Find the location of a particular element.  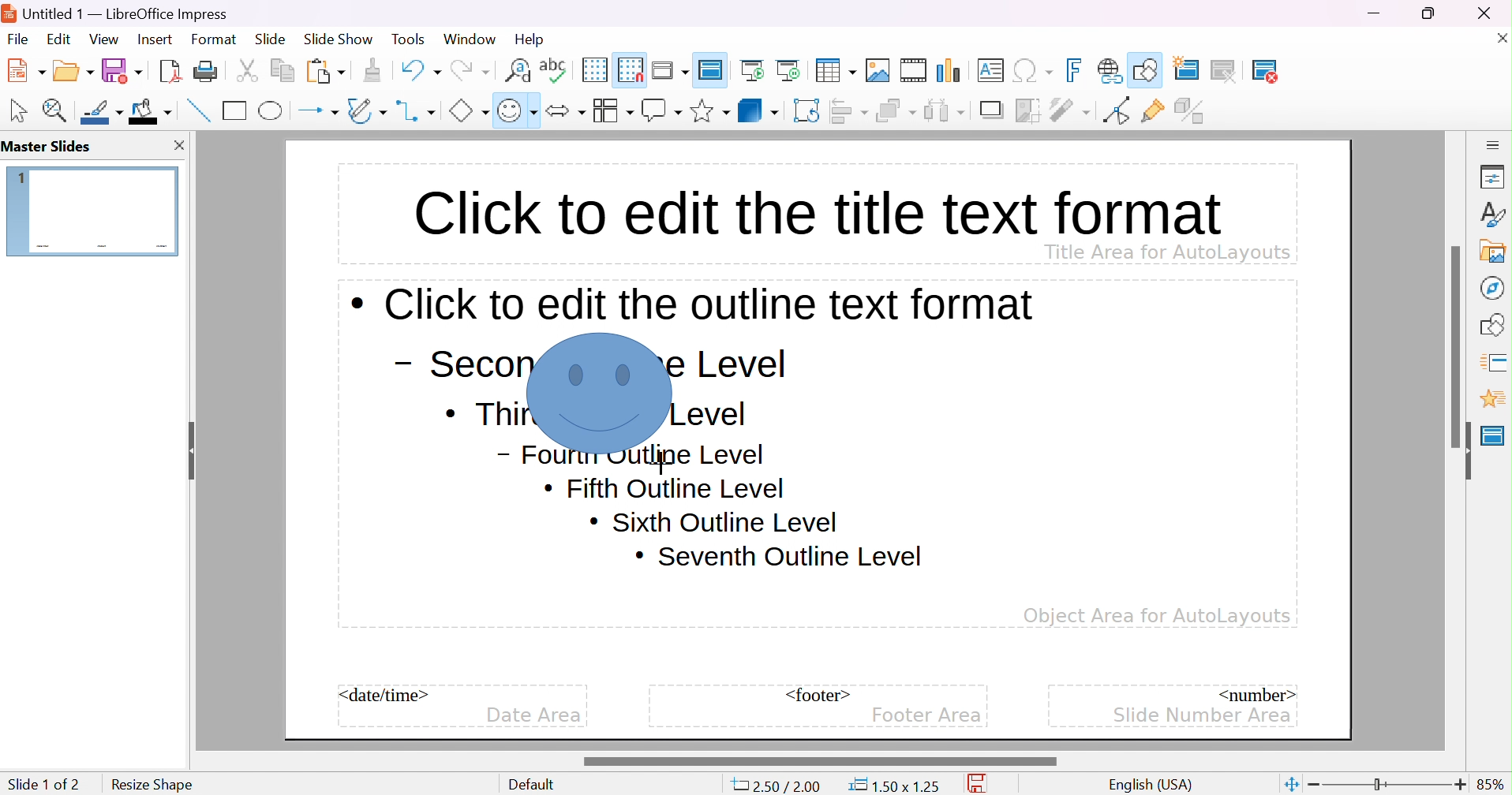

edit is located at coordinates (61, 39).